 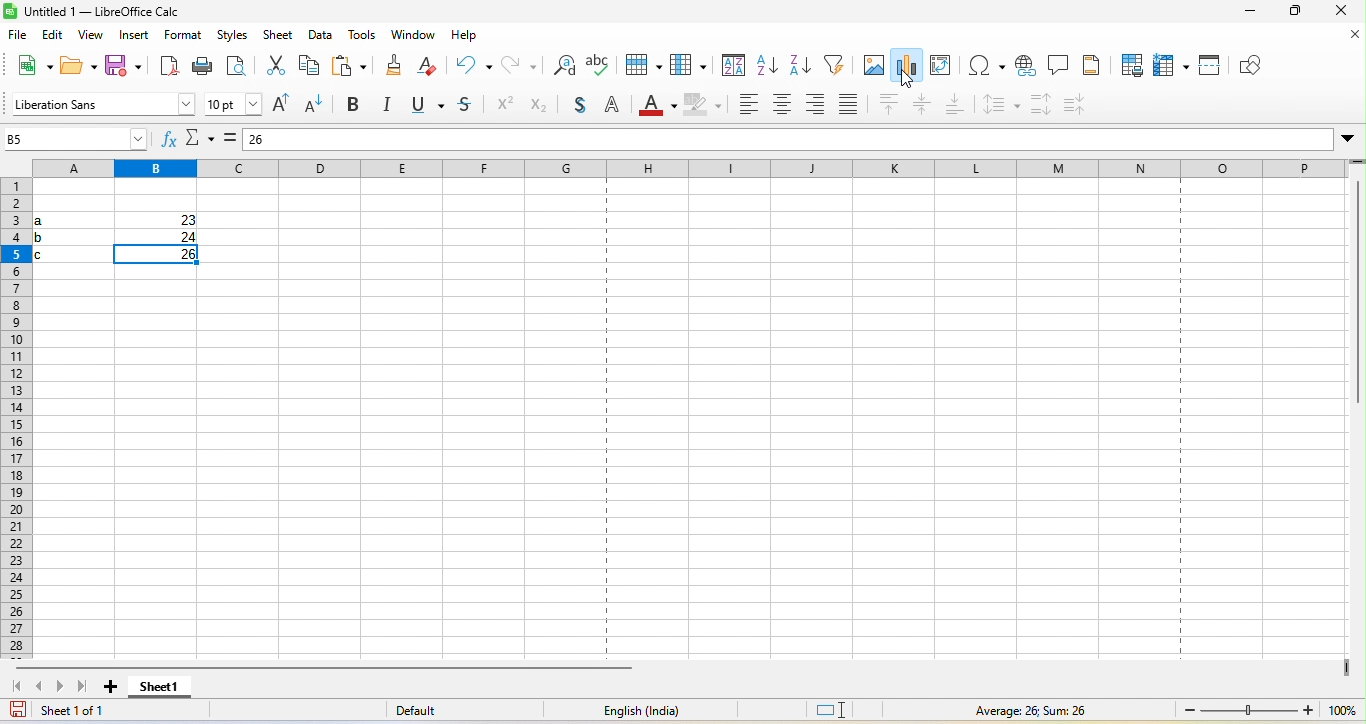 I want to click on edit, so click(x=55, y=37).